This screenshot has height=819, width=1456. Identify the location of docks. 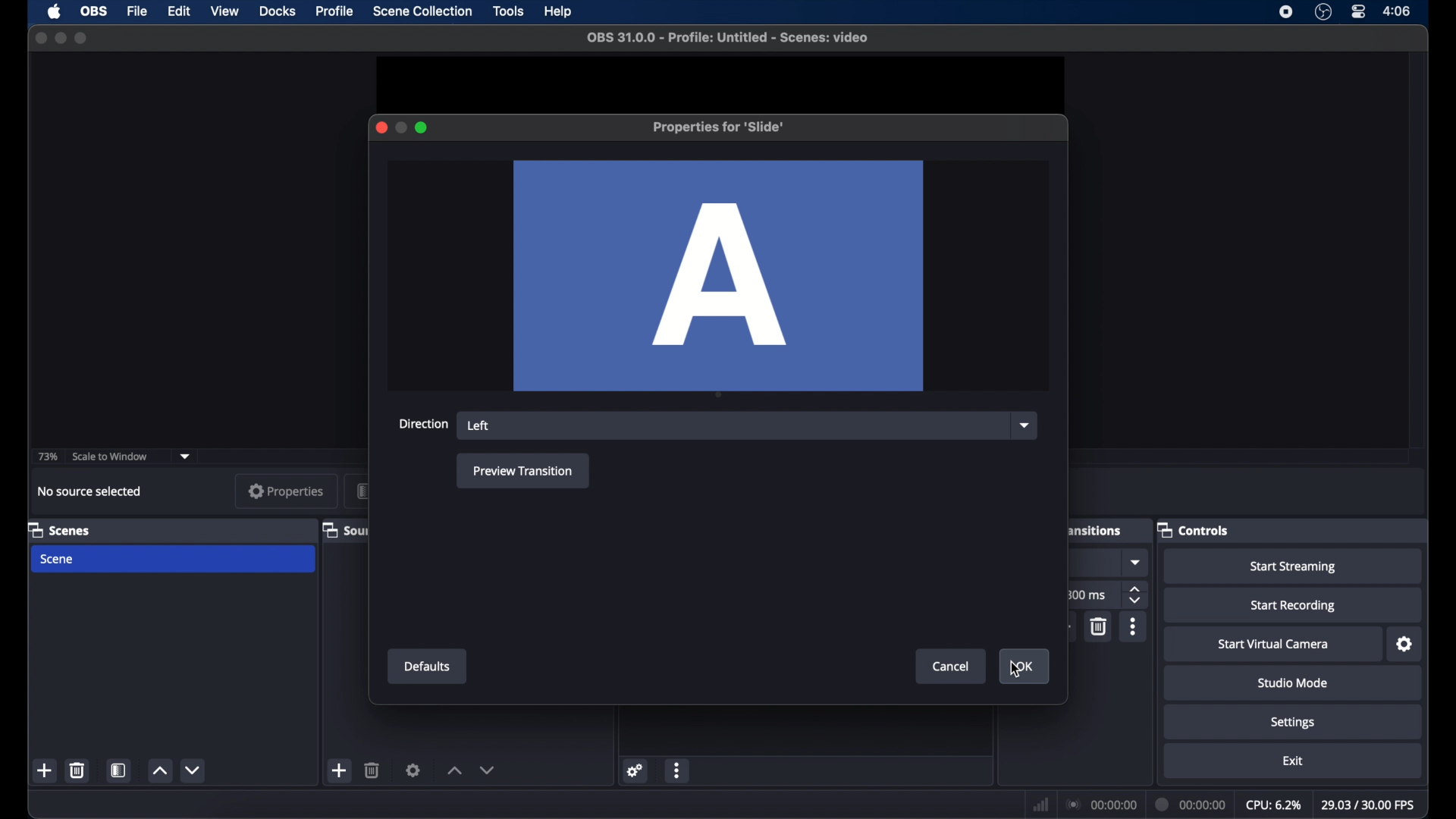
(278, 11).